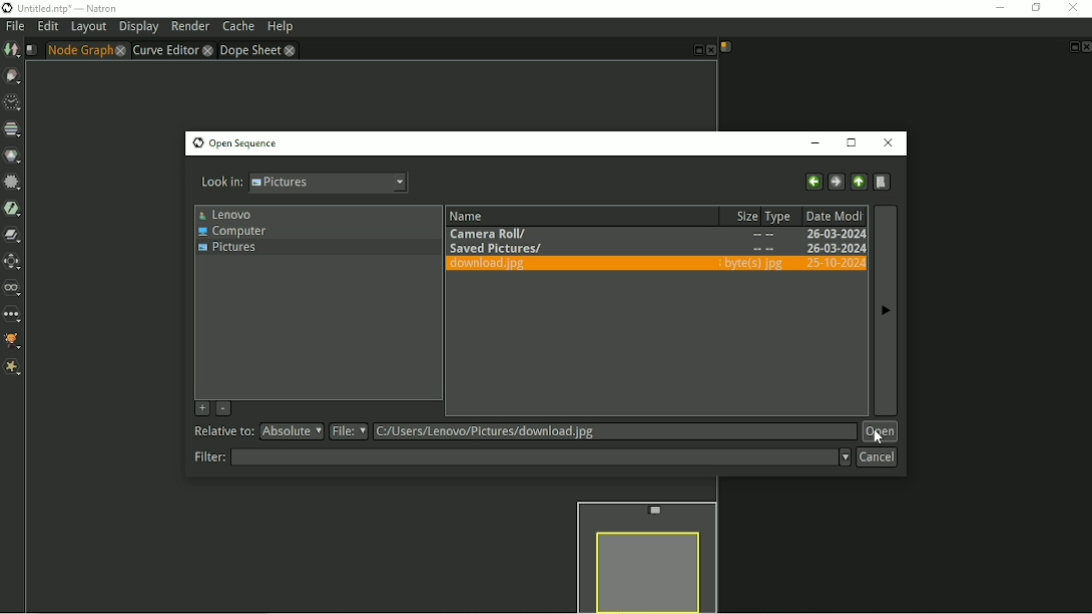 Image resolution: width=1092 pixels, height=614 pixels. What do you see at coordinates (763, 235) in the screenshot?
I see `--` at bounding box center [763, 235].